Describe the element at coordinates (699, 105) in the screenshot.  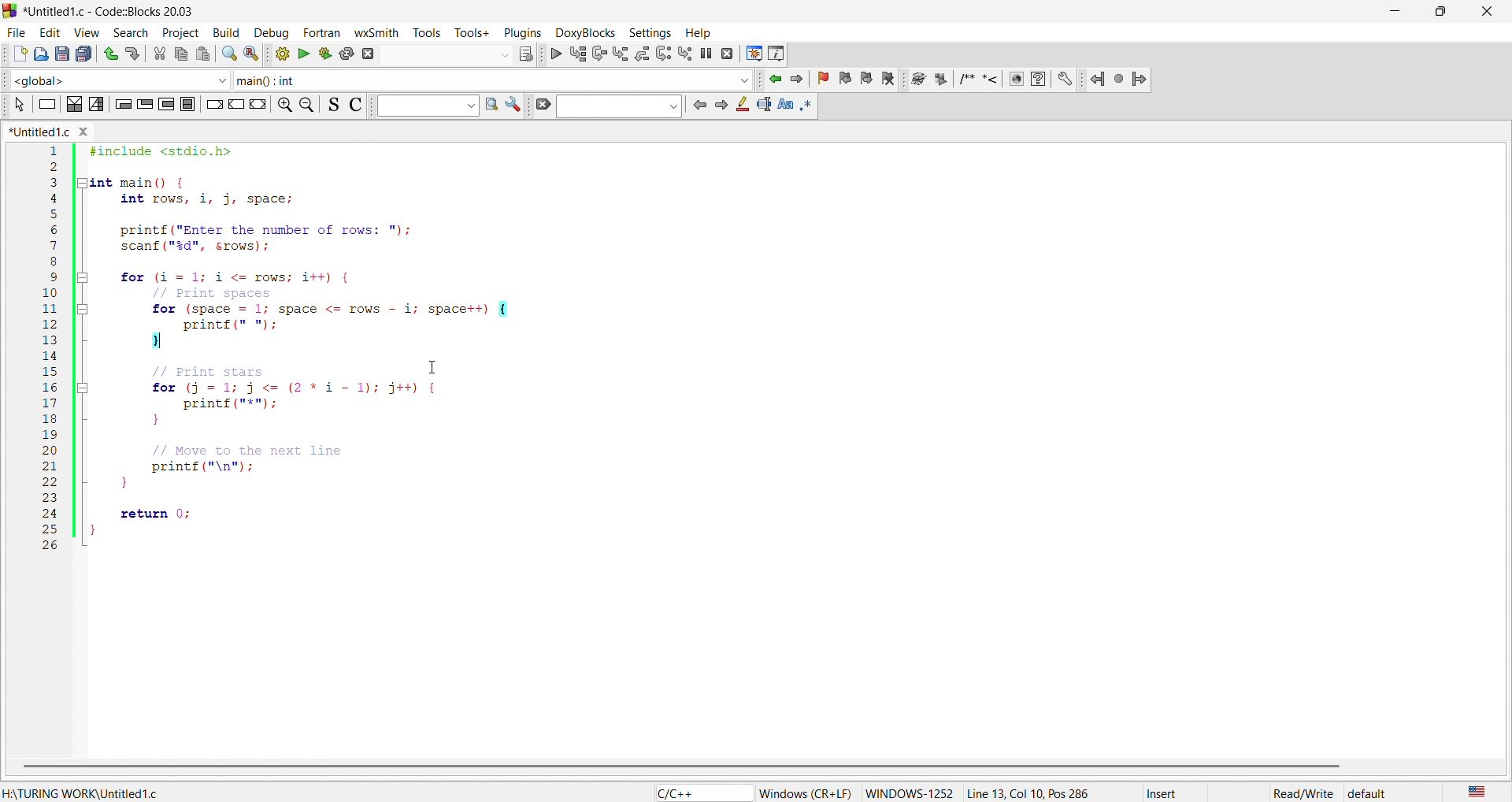
I see `previous` at that location.